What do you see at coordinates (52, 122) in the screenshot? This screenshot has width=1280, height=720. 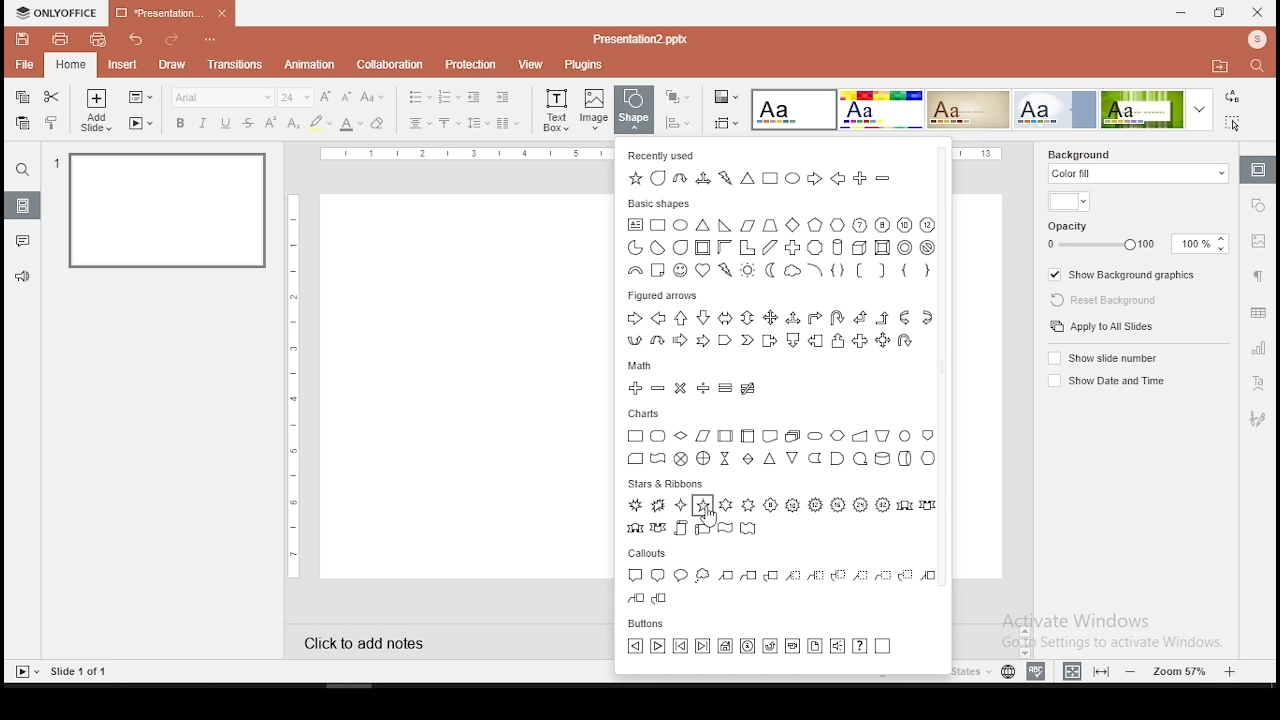 I see `clone formatting` at bounding box center [52, 122].